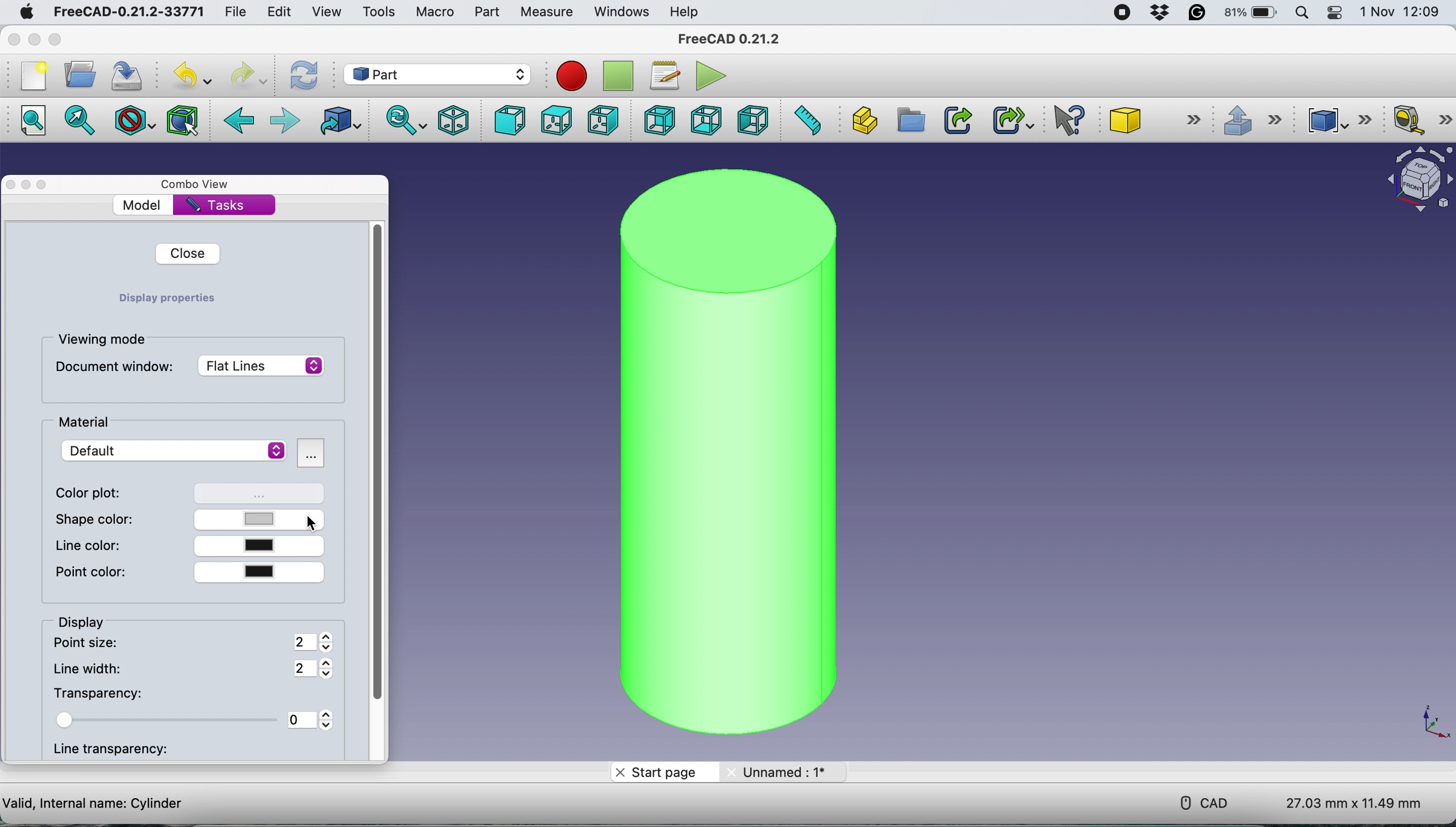 This screenshot has width=1456, height=827. What do you see at coordinates (452, 120) in the screenshot?
I see `isometric` at bounding box center [452, 120].